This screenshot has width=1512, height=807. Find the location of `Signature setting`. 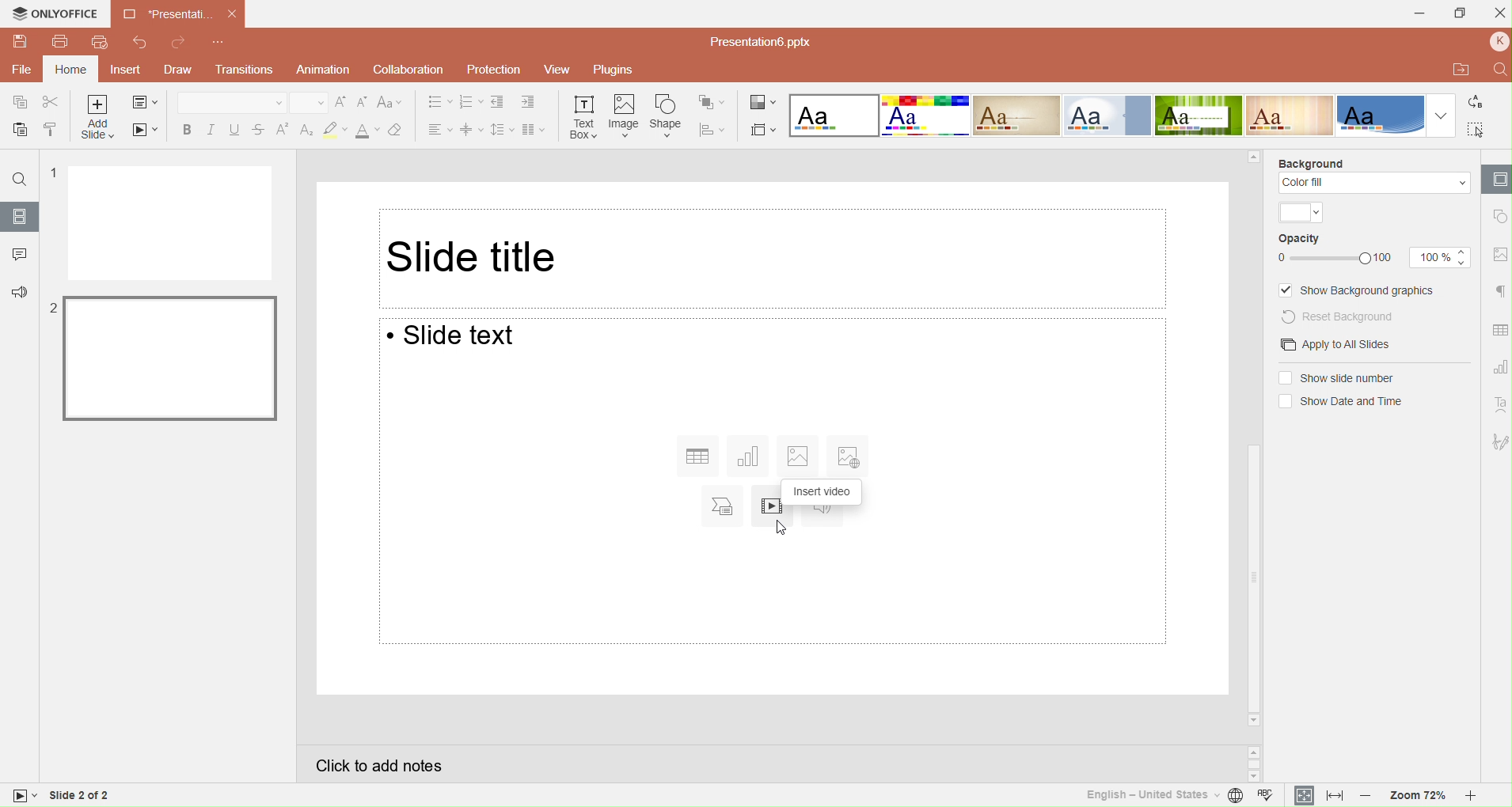

Signature setting is located at coordinates (1498, 438).